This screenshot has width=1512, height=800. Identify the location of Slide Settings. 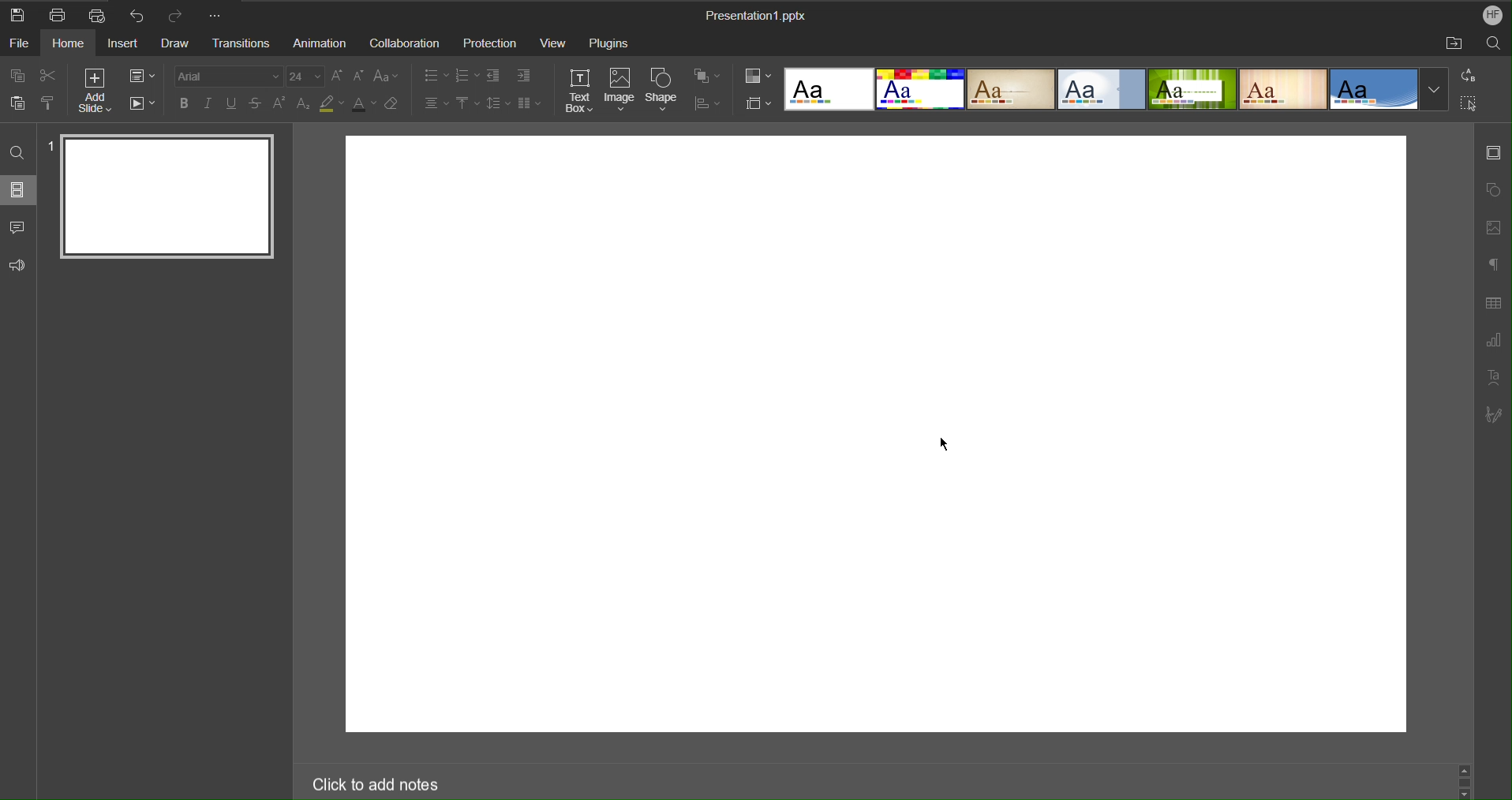
(141, 76).